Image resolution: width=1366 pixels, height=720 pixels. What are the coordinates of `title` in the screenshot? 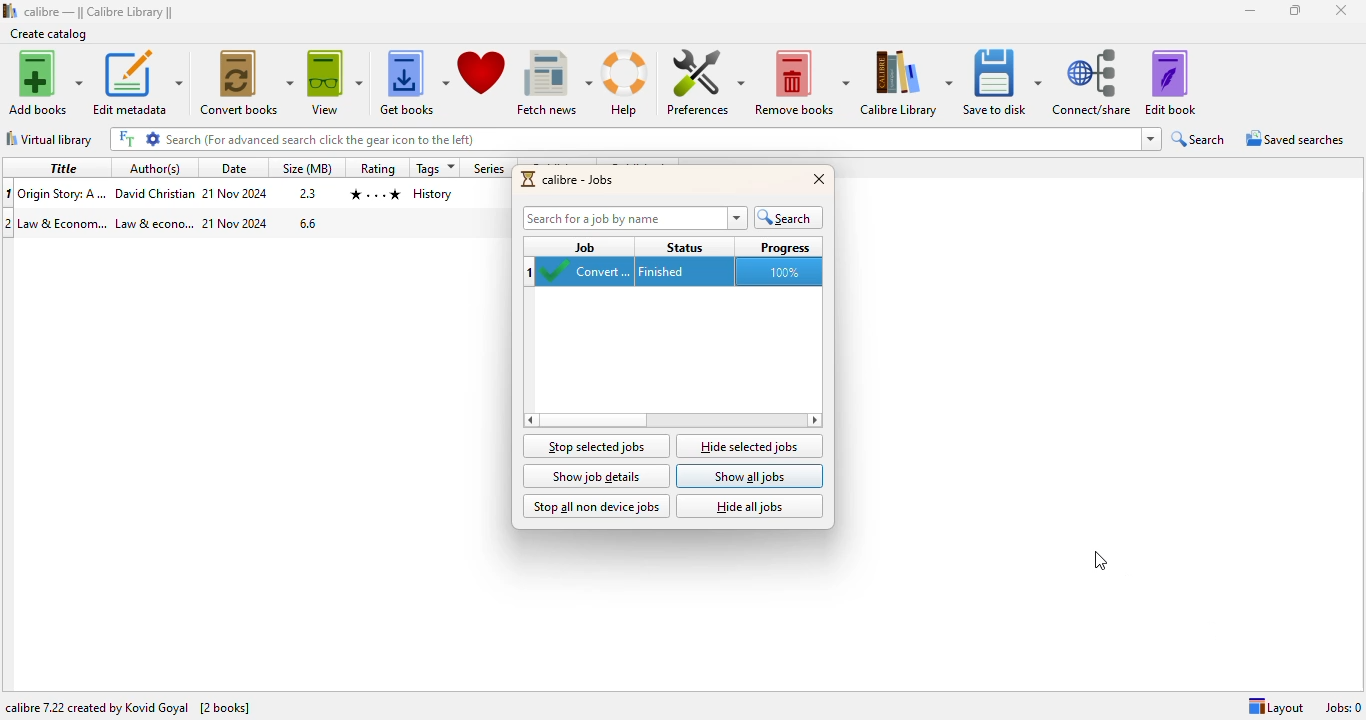 It's located at (63, 193).